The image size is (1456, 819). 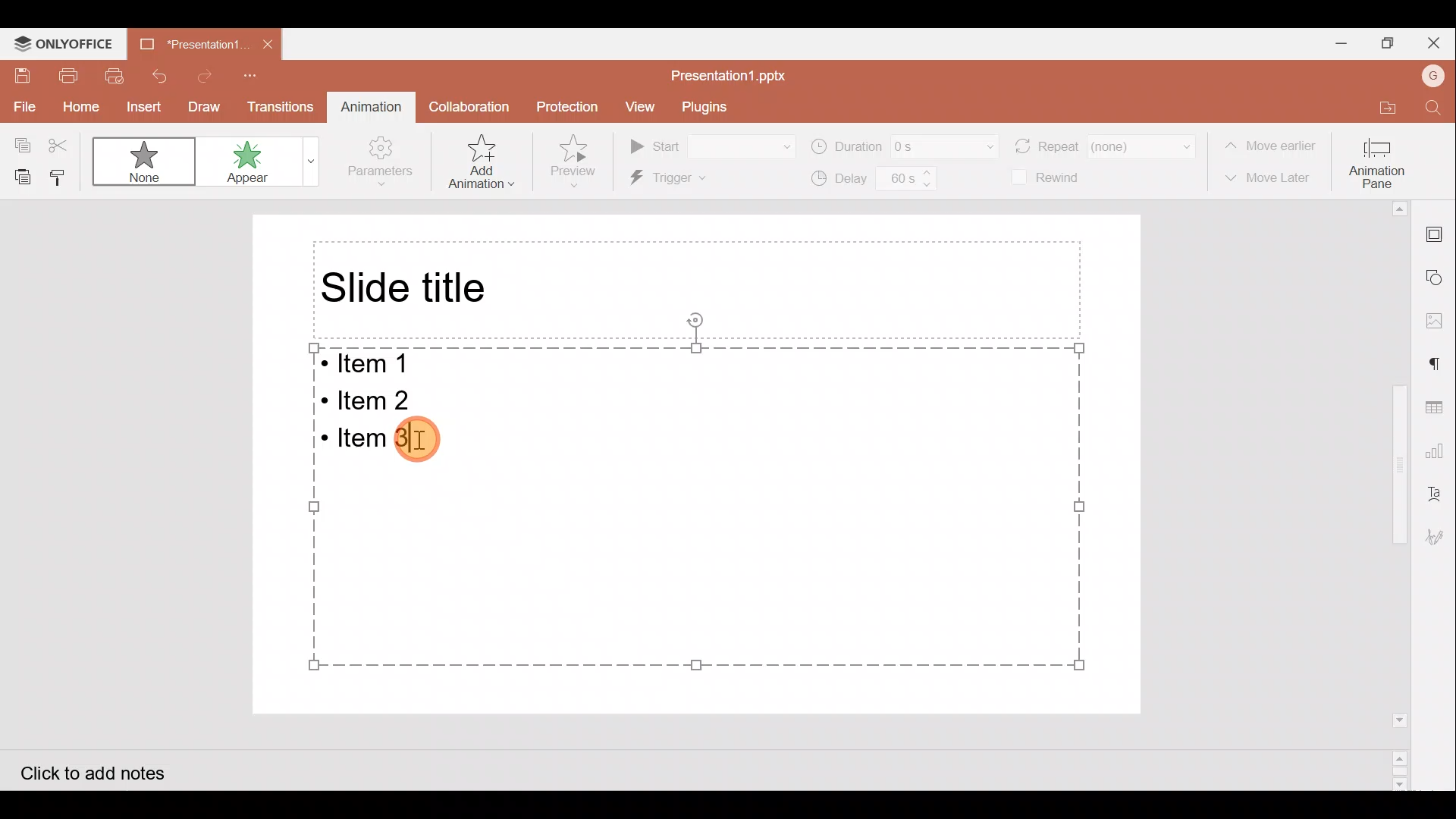 What do you see at coordinates (186, 47) in the screenshot?
I see `Presentation1.` at bounding box center [186, 47].